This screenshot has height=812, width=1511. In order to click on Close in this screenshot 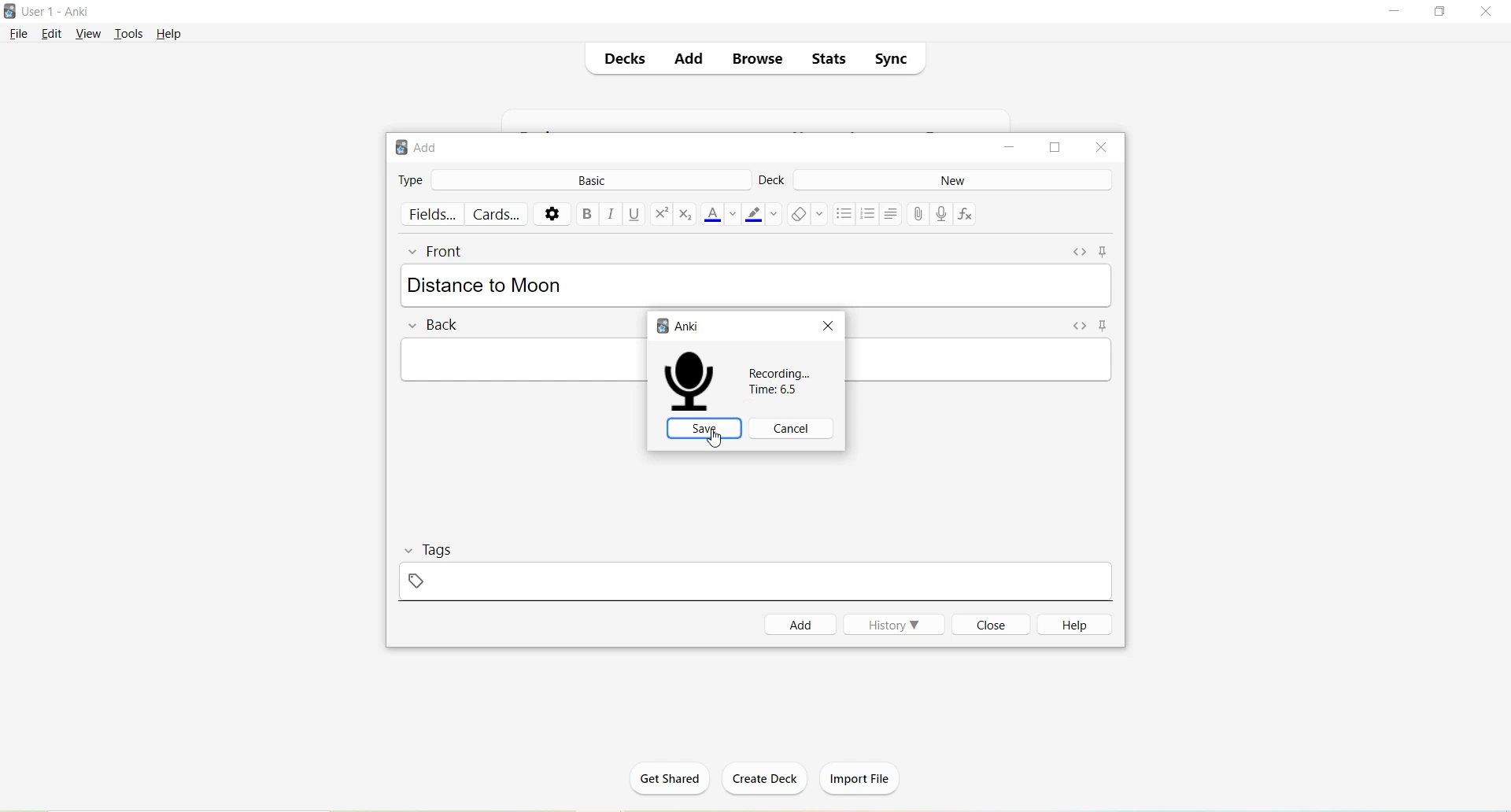, I will do `click(827, 325)`.